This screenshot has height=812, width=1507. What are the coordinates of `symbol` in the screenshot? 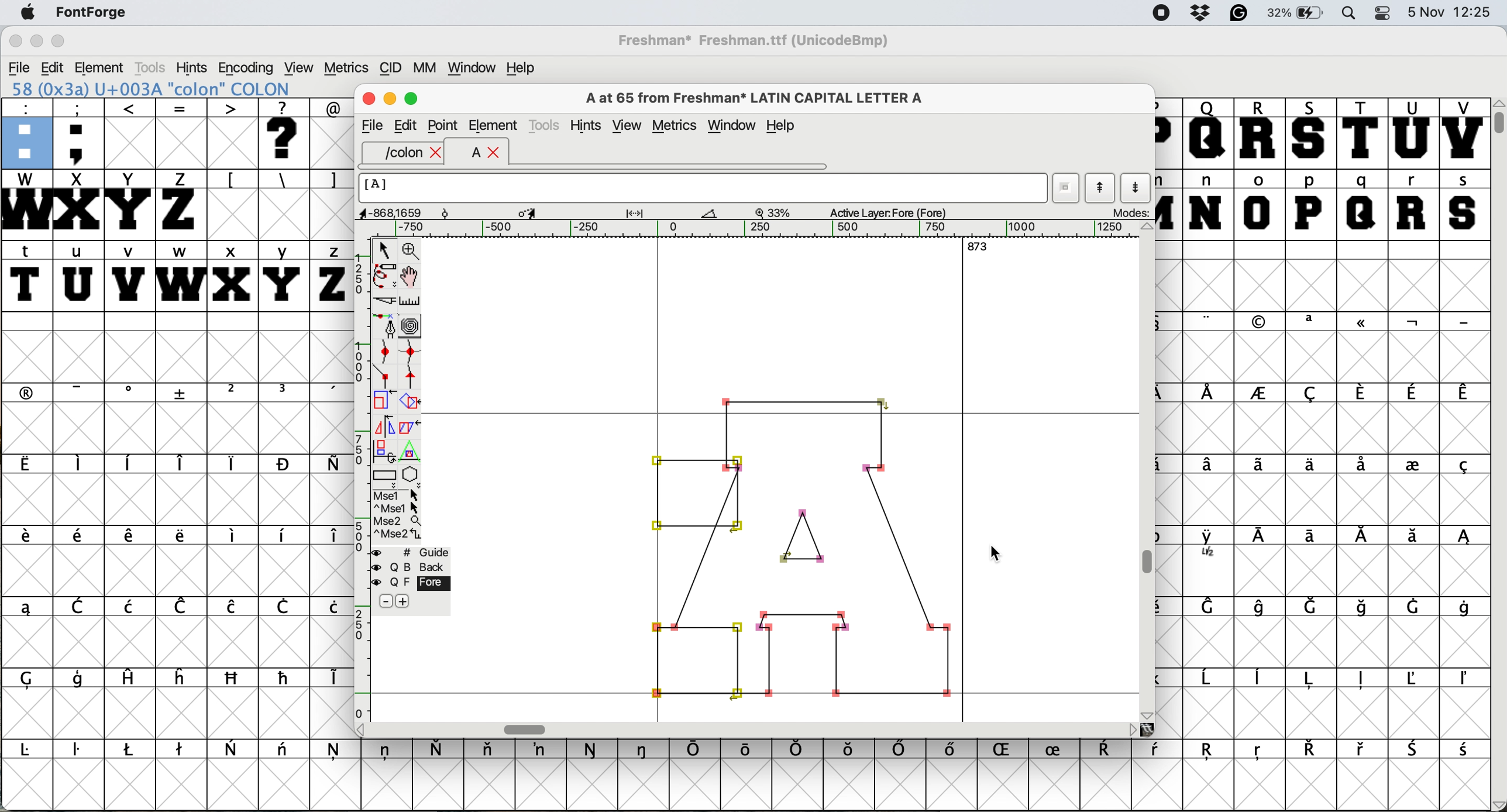 It's located at (1463, 539).